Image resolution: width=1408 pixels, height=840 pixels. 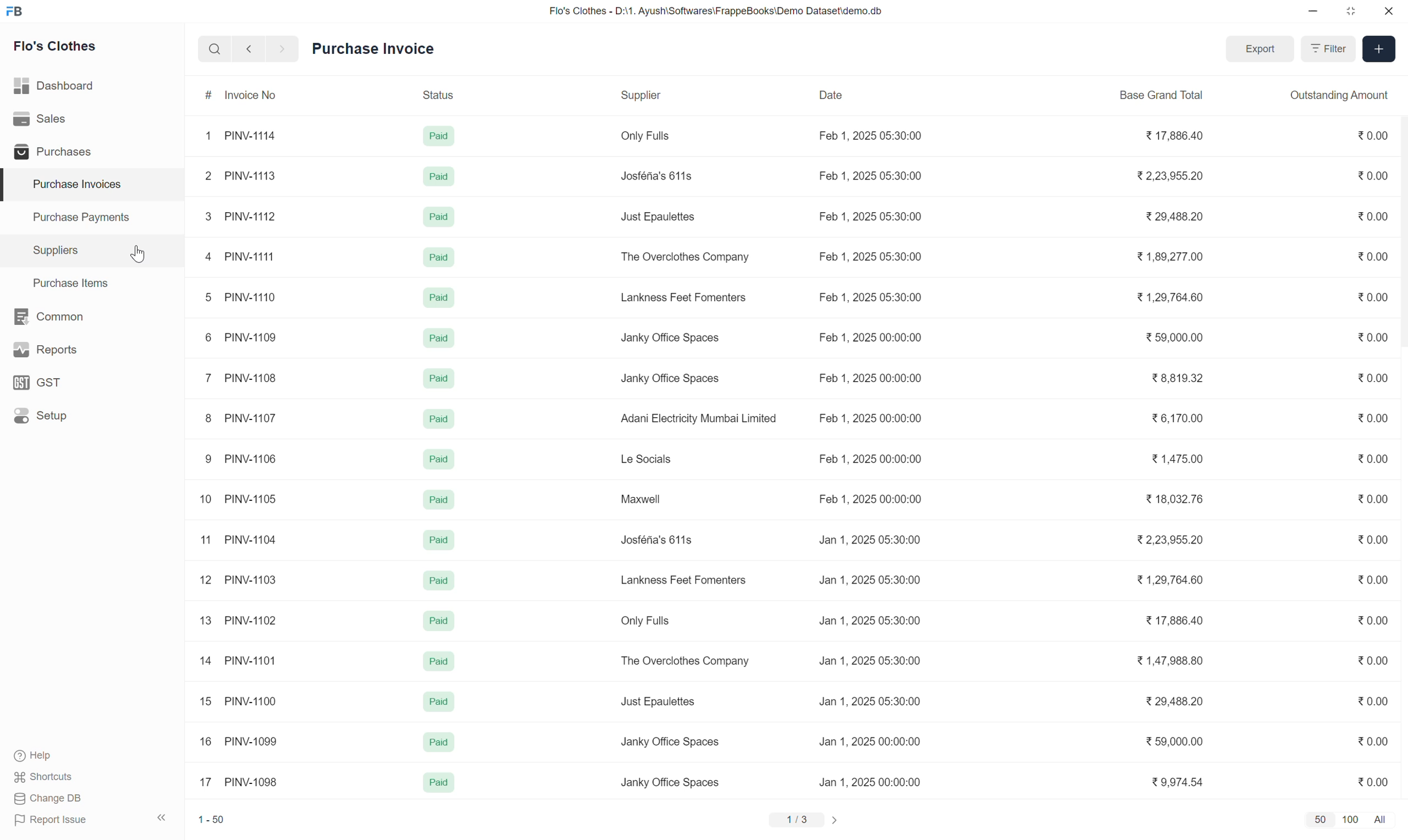 I want to click on PINV-1111, so click(x=250, y=257).